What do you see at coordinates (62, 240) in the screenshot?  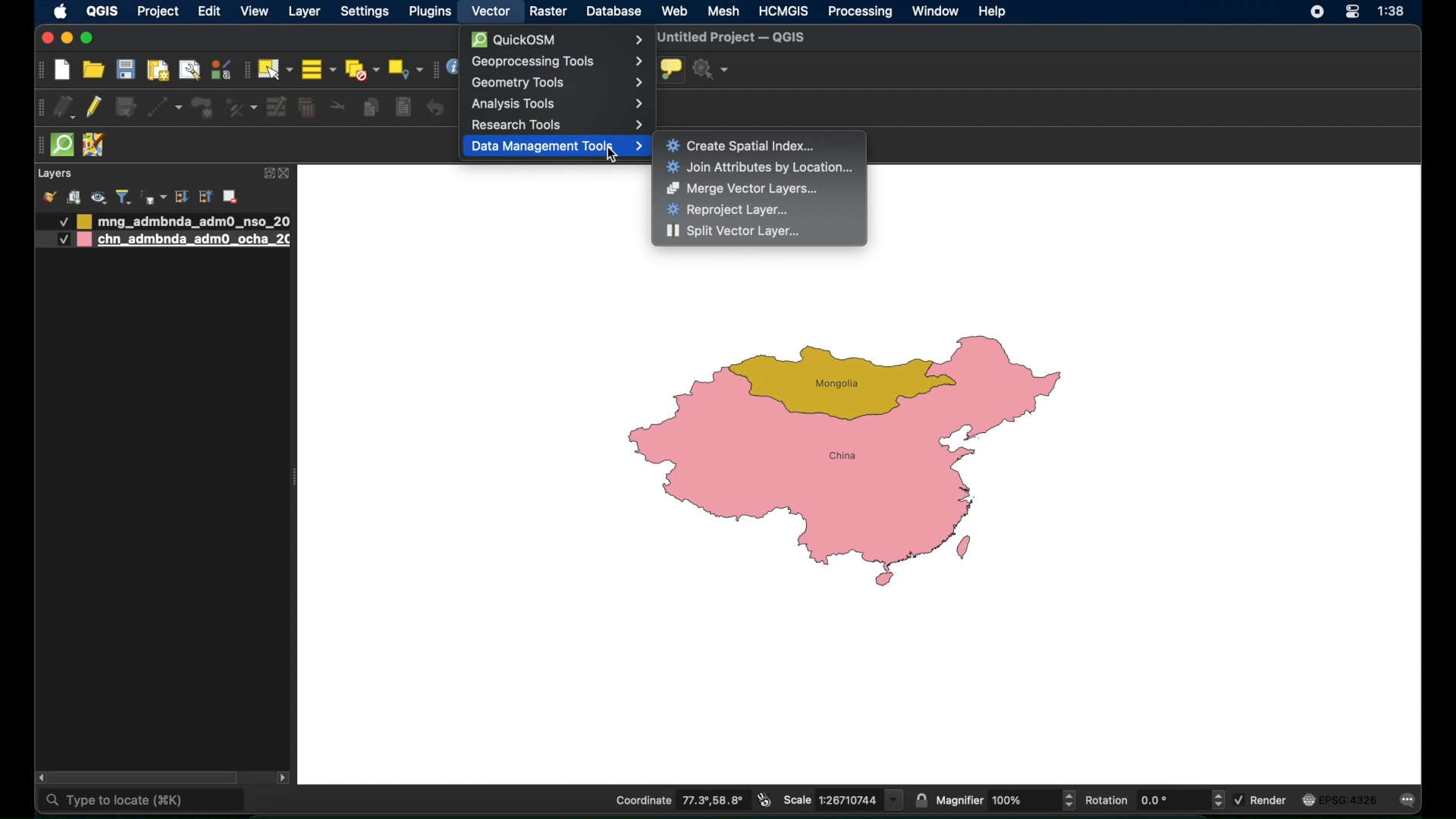 I see `` at bounding box center [62, 240].